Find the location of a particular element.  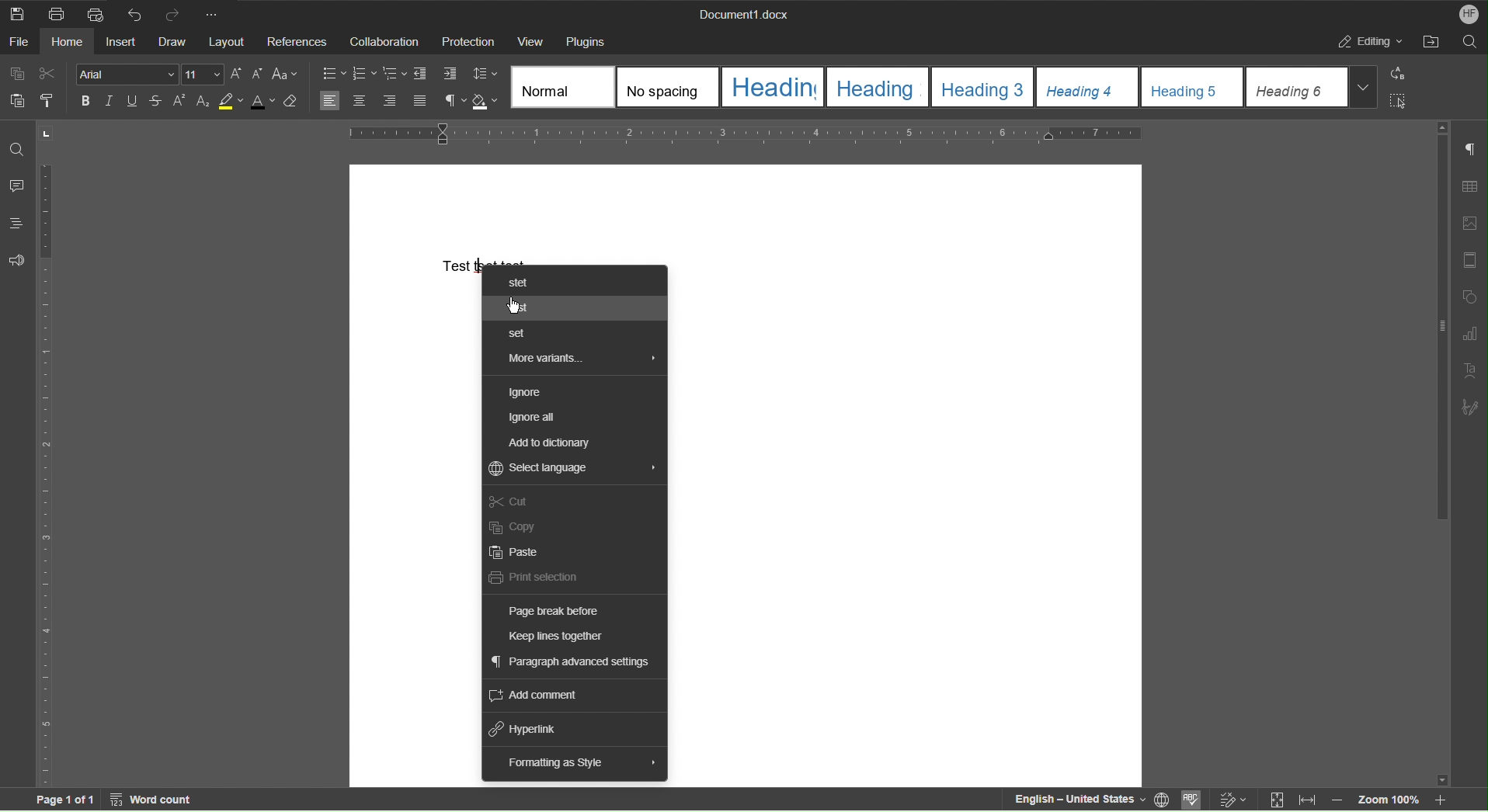

Add comment is located at coordinates (536, 696).